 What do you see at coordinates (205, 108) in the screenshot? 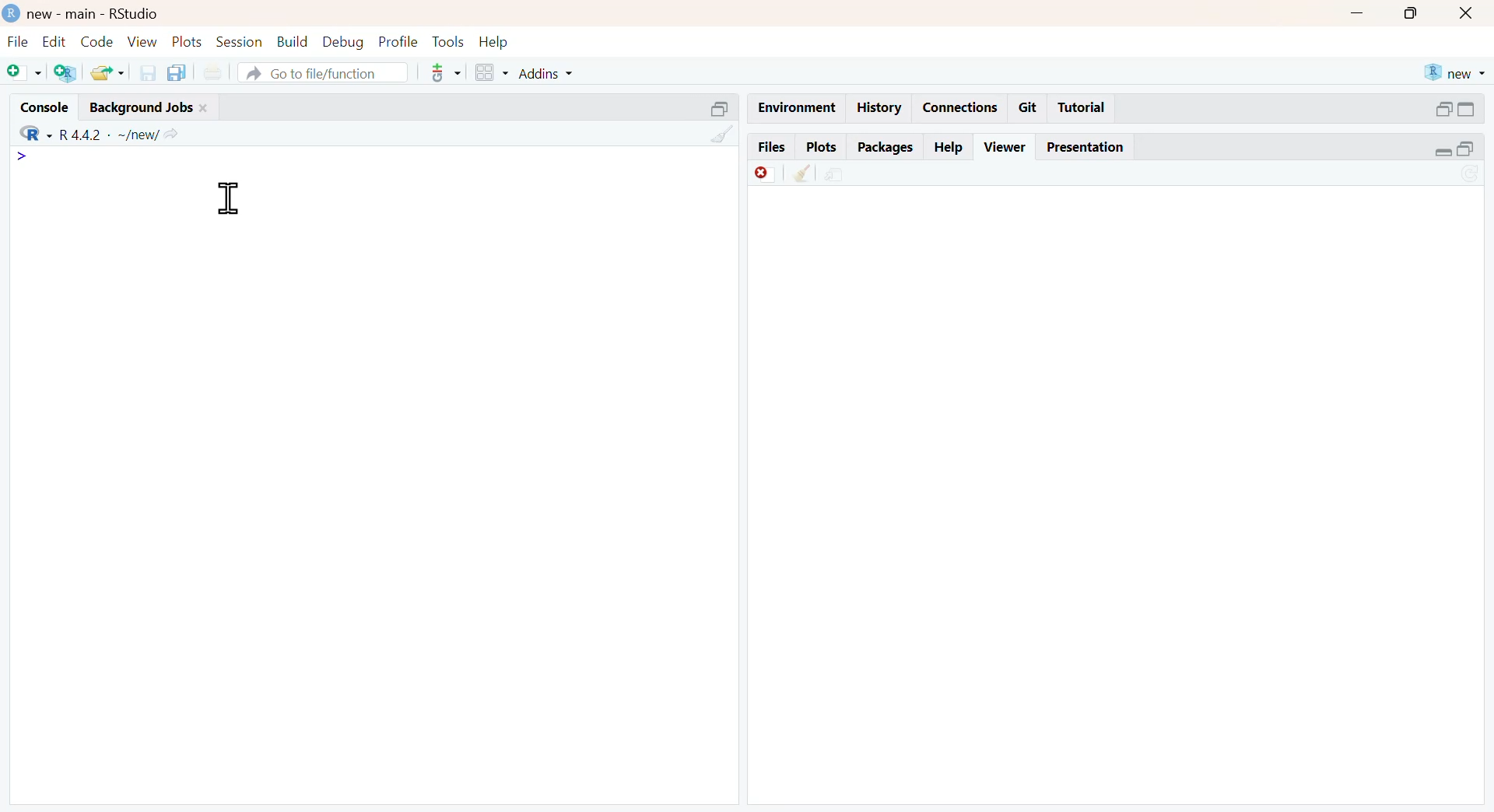
I see `close` at bounding box center [205, 108].